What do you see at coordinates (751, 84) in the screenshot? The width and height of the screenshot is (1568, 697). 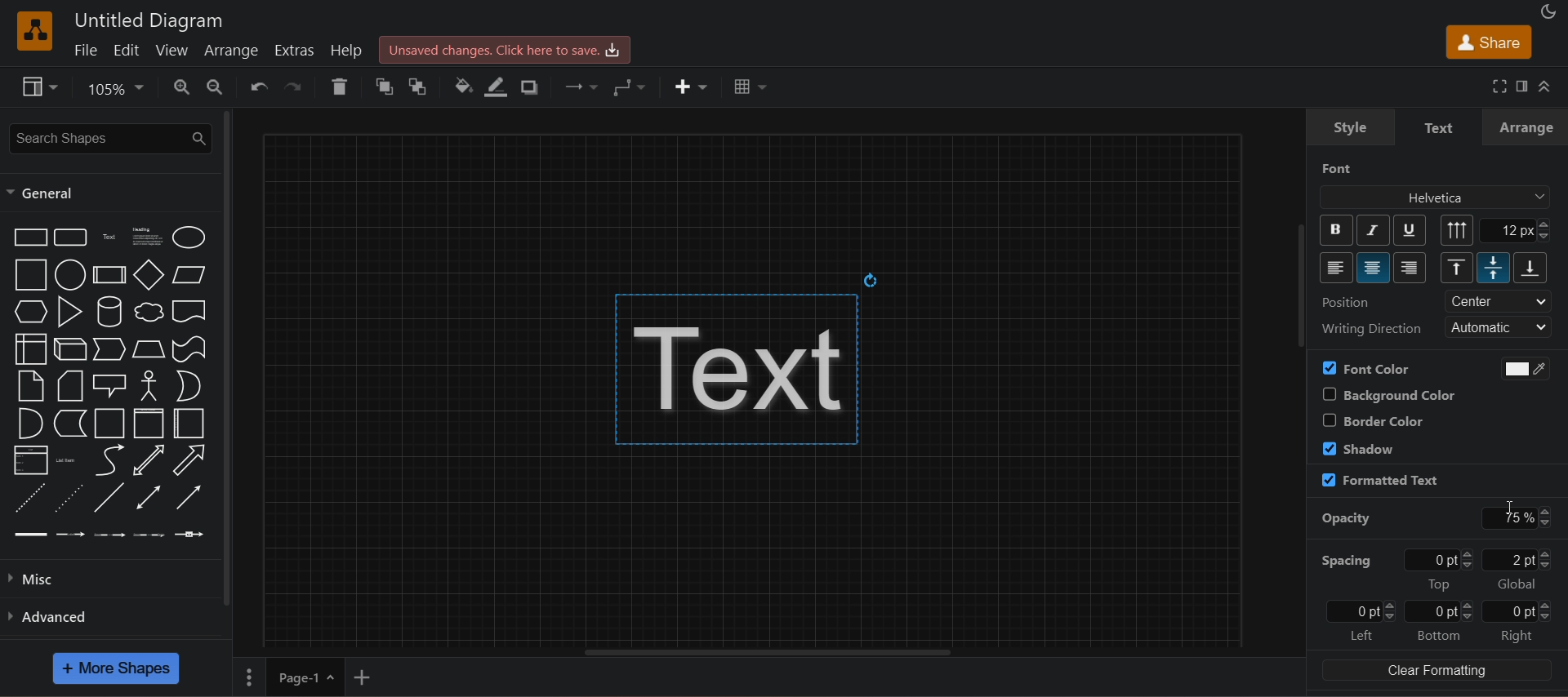 I see `table` at bounding box center [751, 84].